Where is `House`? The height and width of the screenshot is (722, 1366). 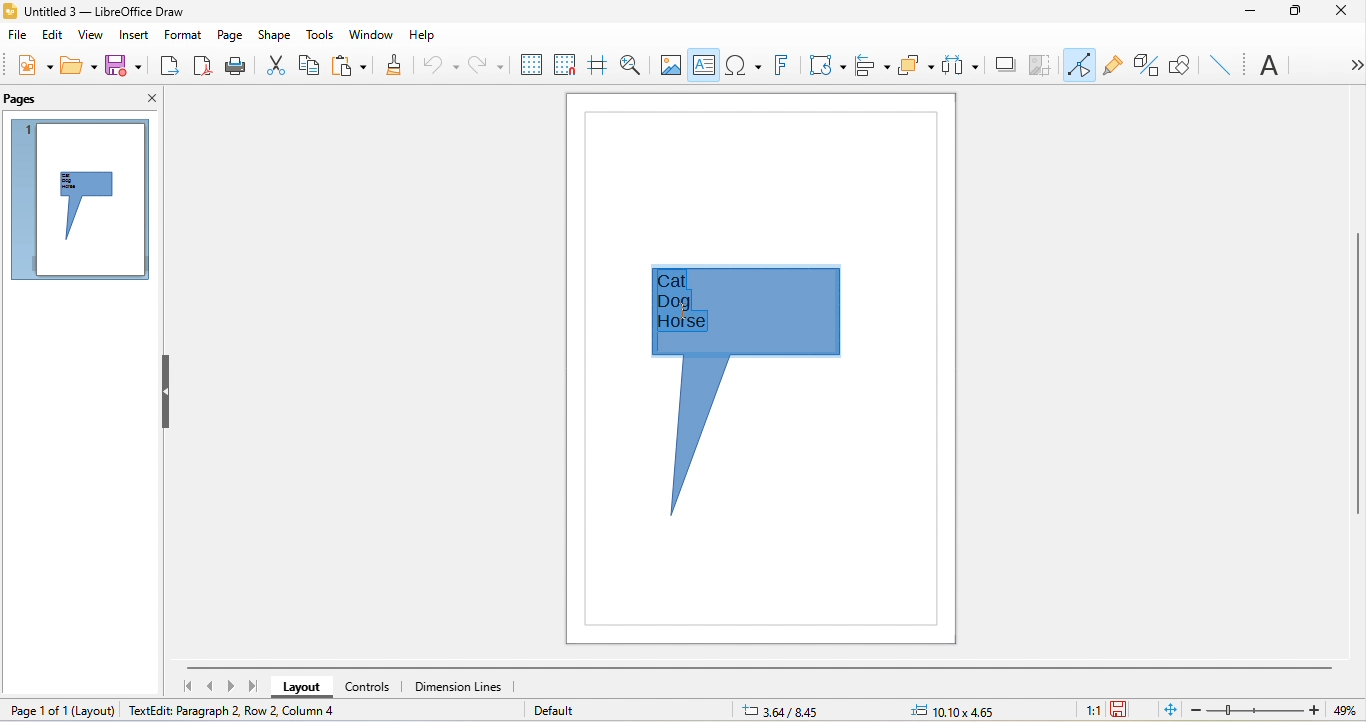
House is located at coordinates (682, 325).